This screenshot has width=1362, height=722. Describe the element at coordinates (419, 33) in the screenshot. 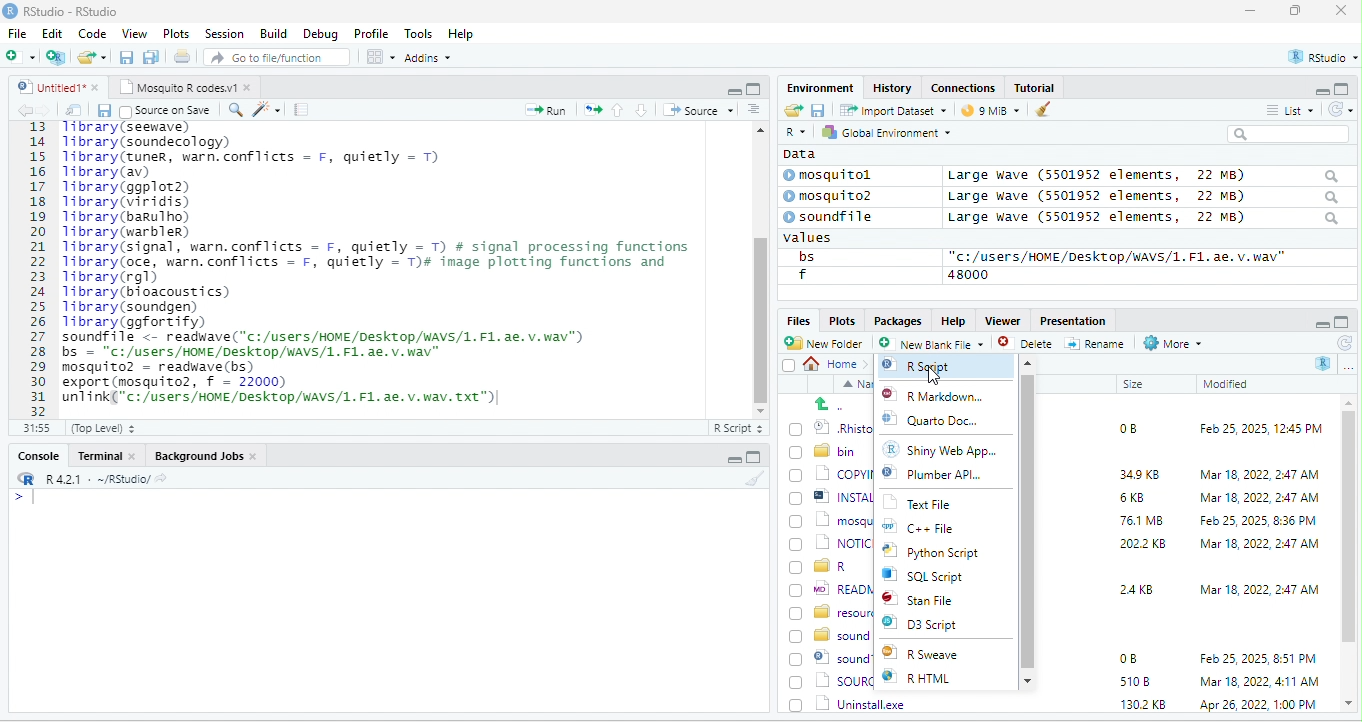

I see `Tools` at that location.